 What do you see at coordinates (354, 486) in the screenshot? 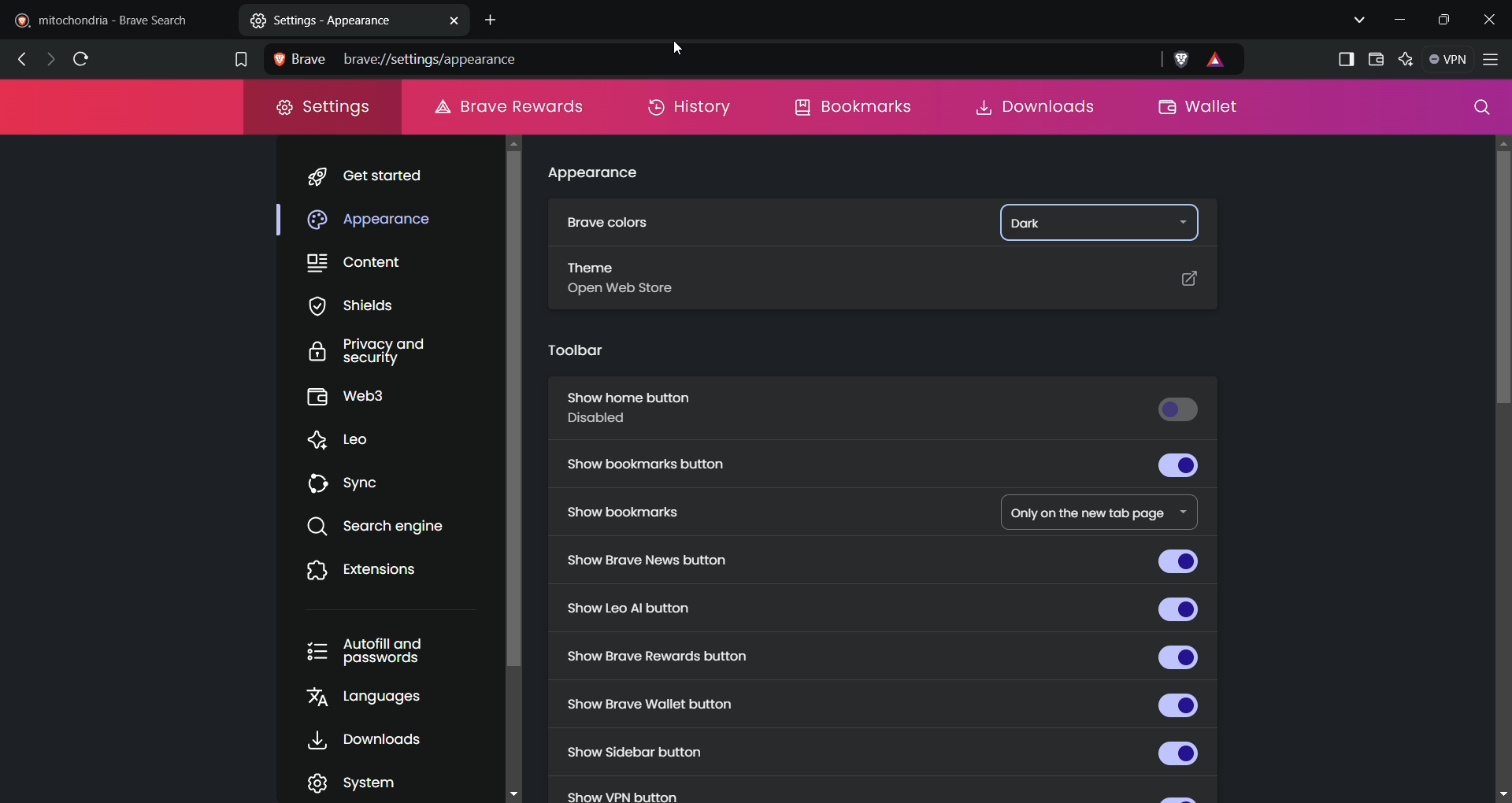
I see `sync` at bounding box center [354, 486].